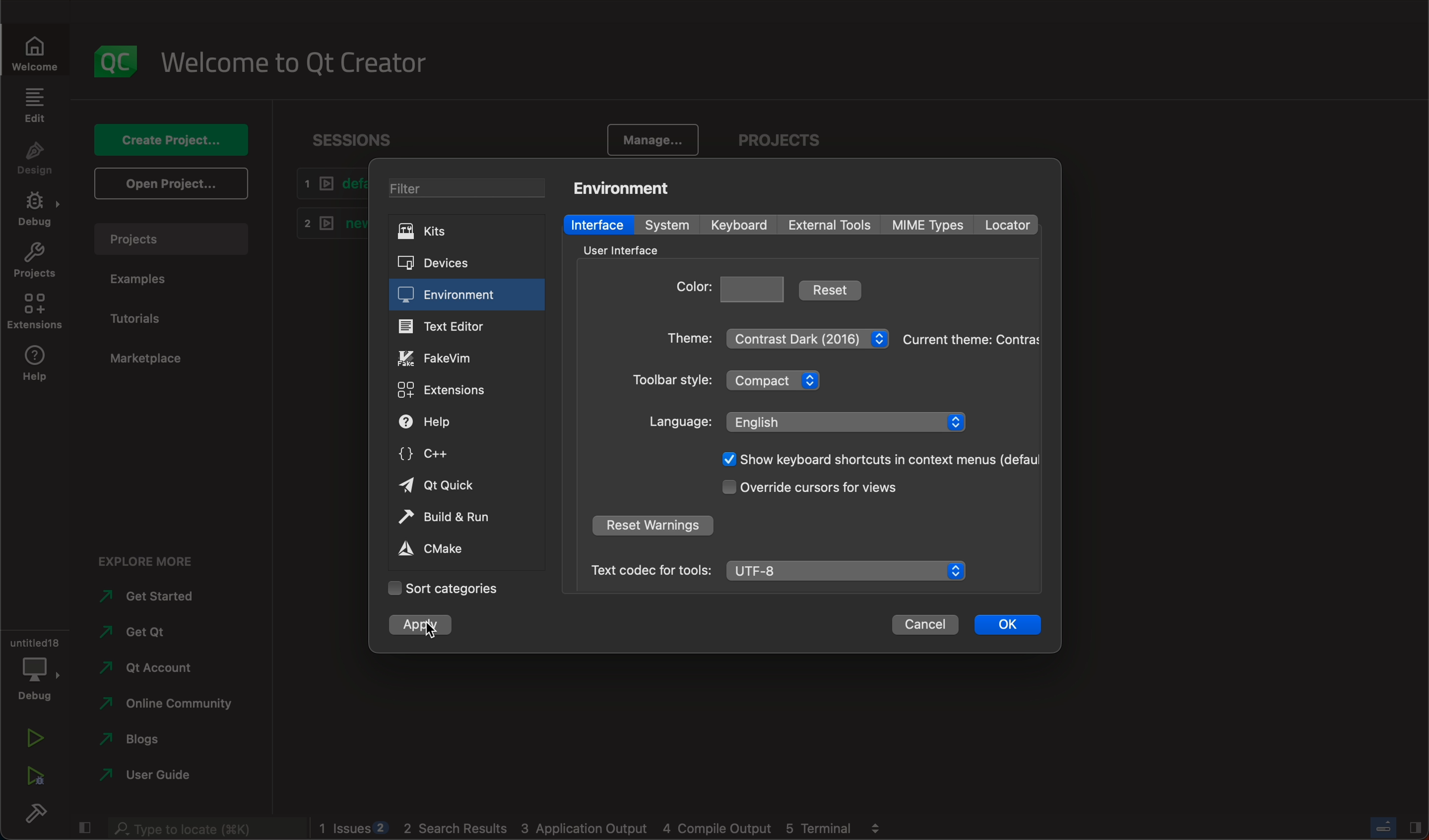 Image resolution: width=1429 pixels, height=840 pixels. Describe the element at coordinates (972, 341) in the screenshot. I see `current theme` at that location.